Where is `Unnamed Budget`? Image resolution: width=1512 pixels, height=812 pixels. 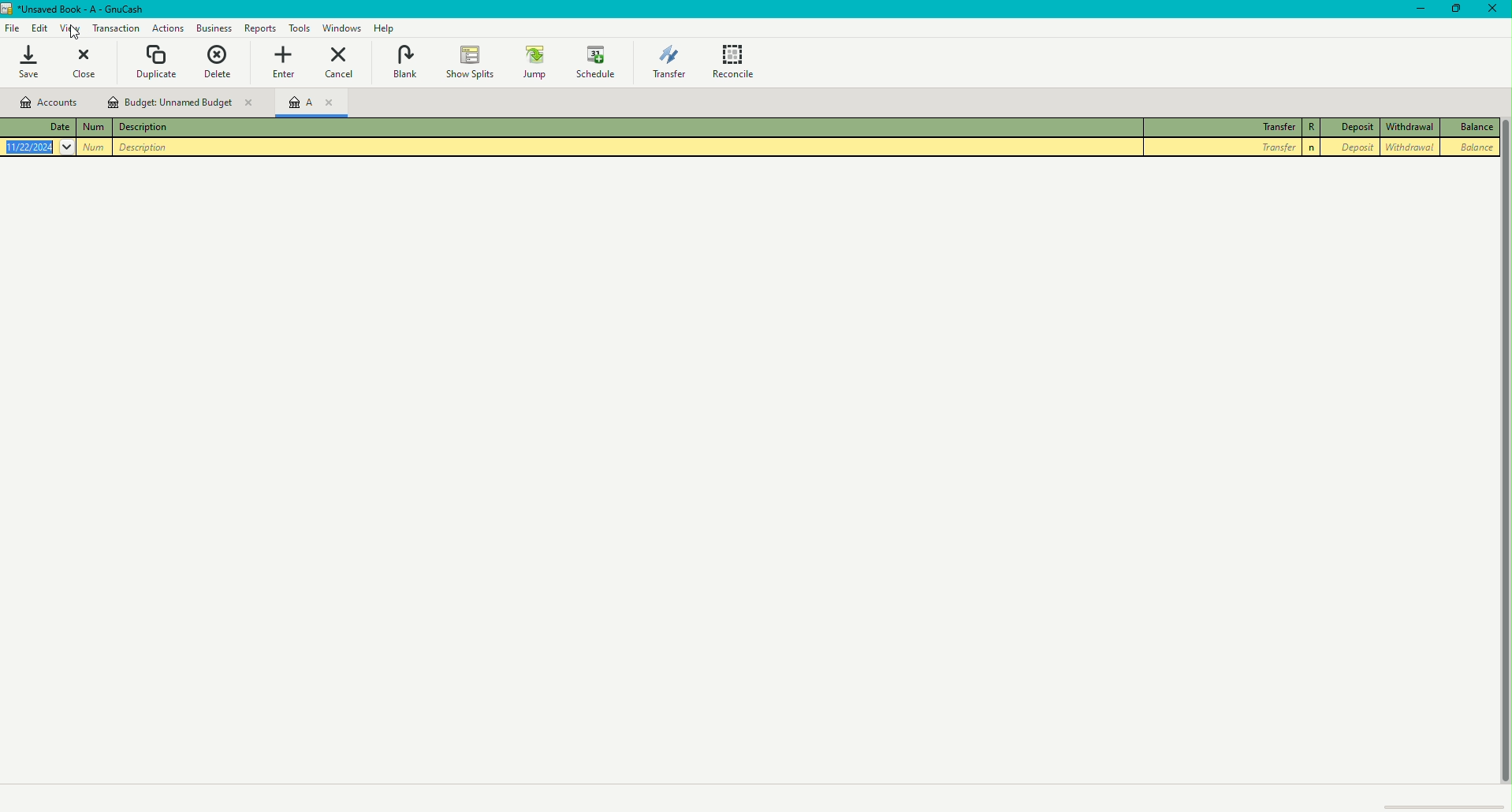 Unnamed Budget is located at coordinates (180, 101).